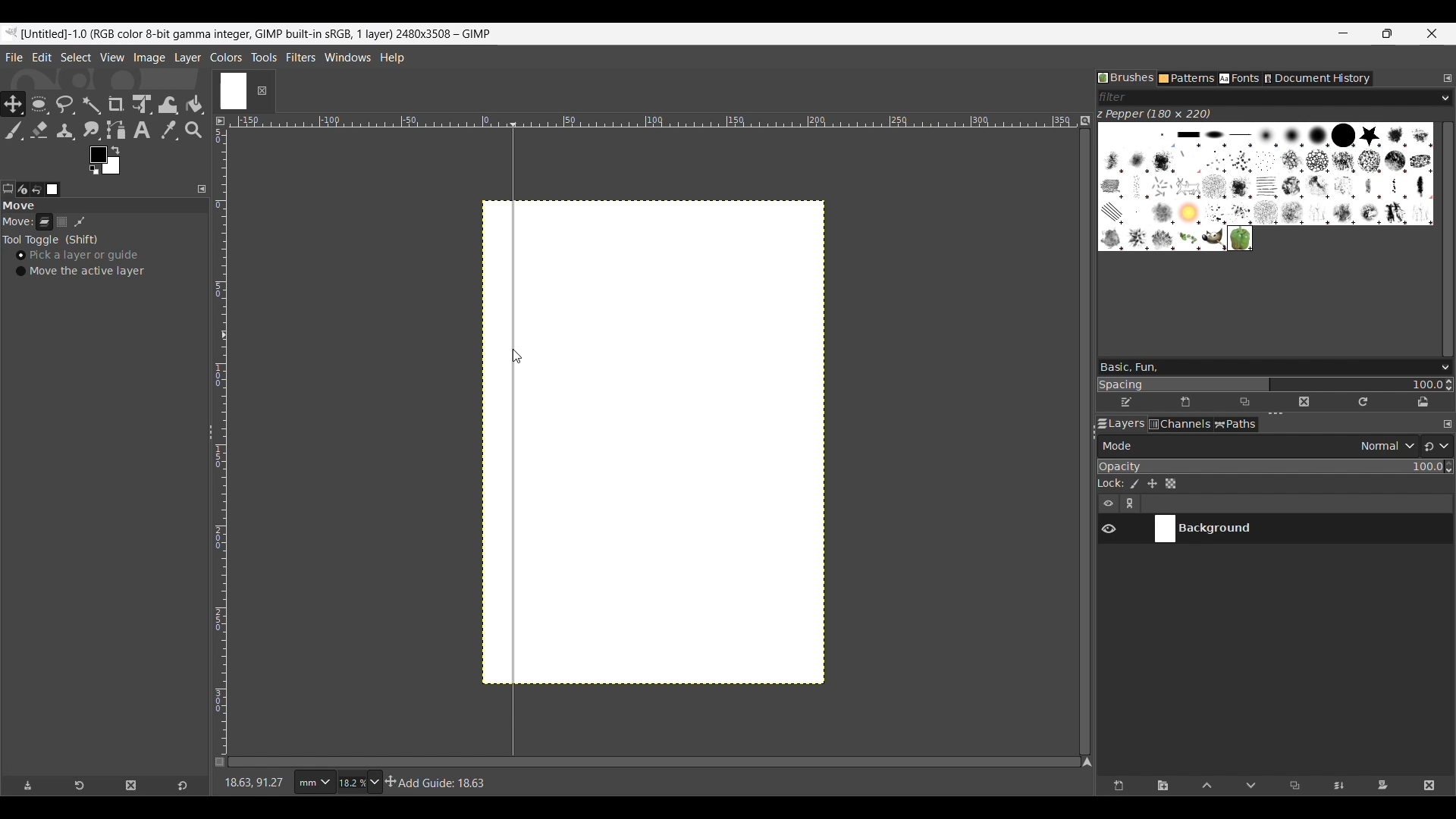 The image size is (1456, 819). What do you see at coordinates (1431, 33) in the screenshot?
I see `Close interface` at bounding box center [1431, 33].